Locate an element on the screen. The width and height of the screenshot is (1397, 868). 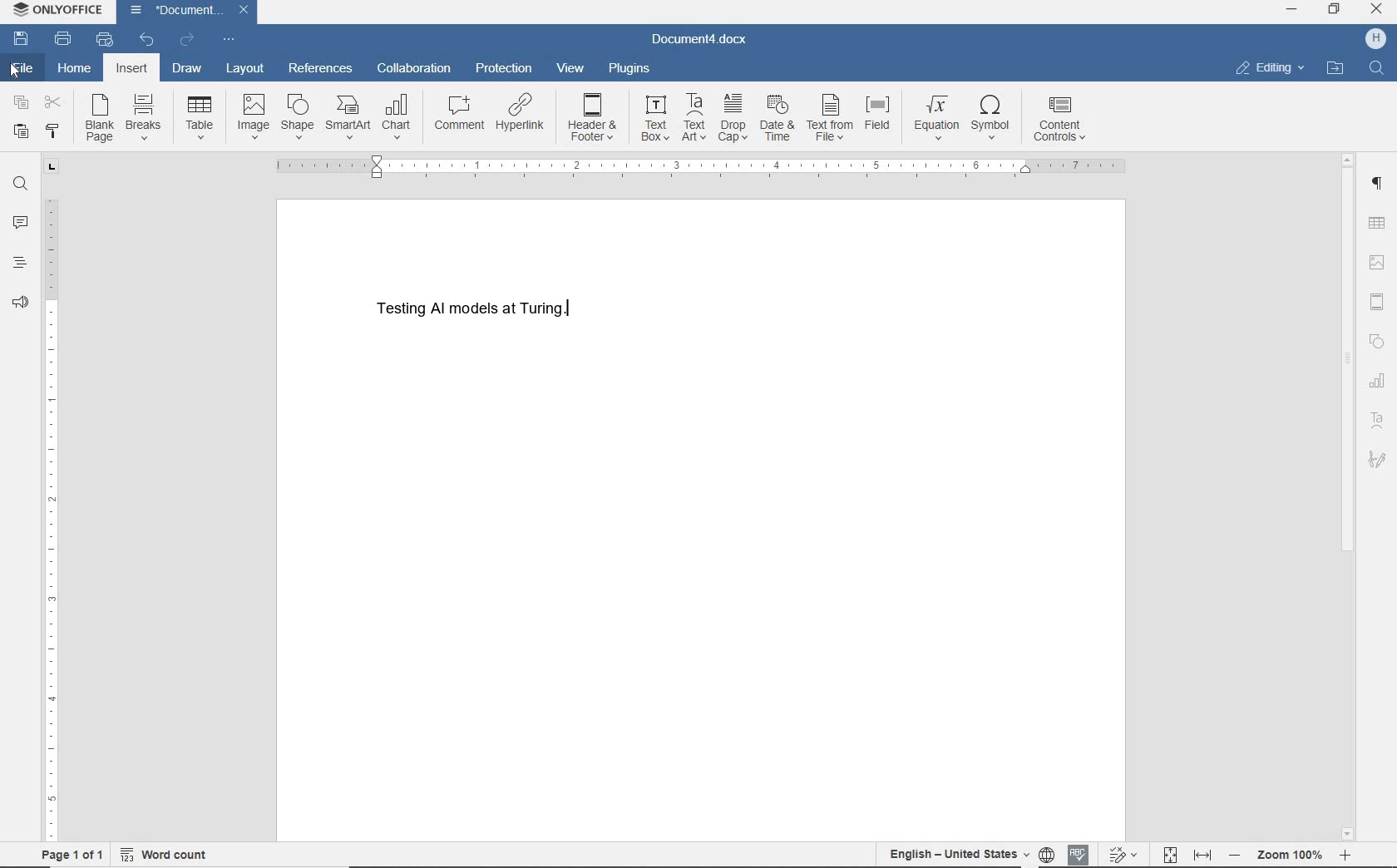
undo is located at coordinates (146, 40).